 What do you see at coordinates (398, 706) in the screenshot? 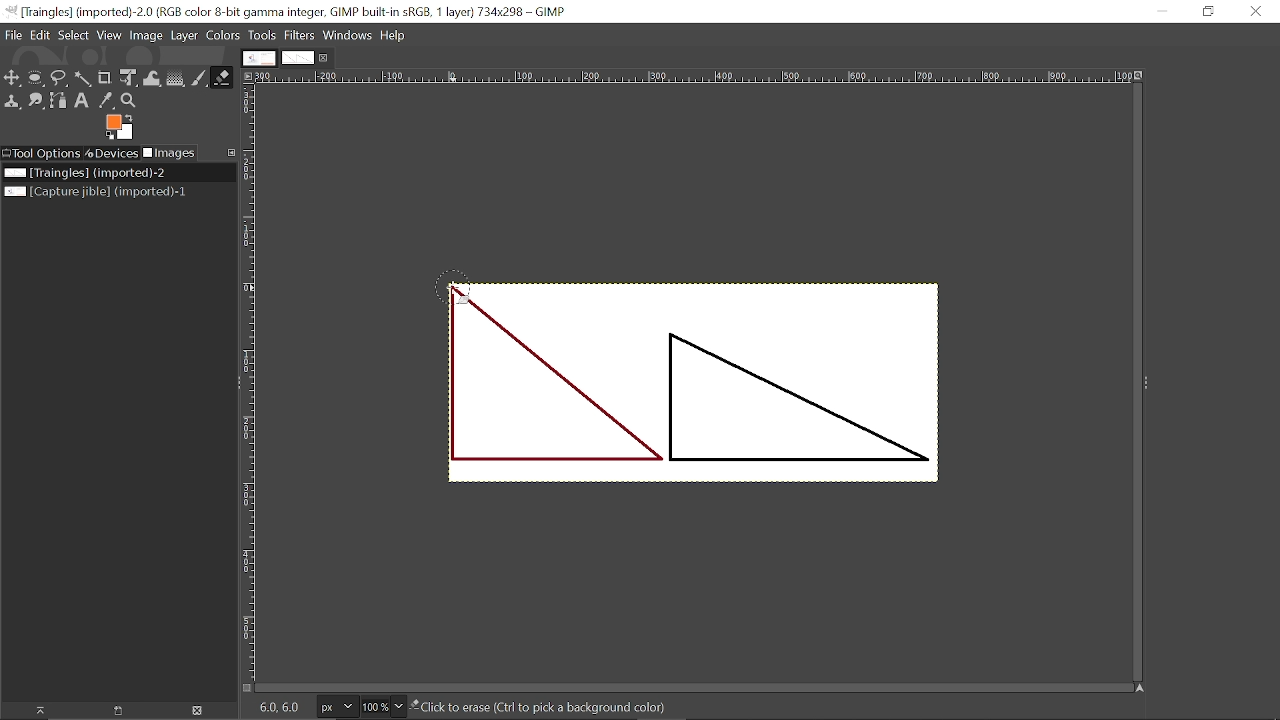
I see `Zoom options` at bounding box center [398, 706].